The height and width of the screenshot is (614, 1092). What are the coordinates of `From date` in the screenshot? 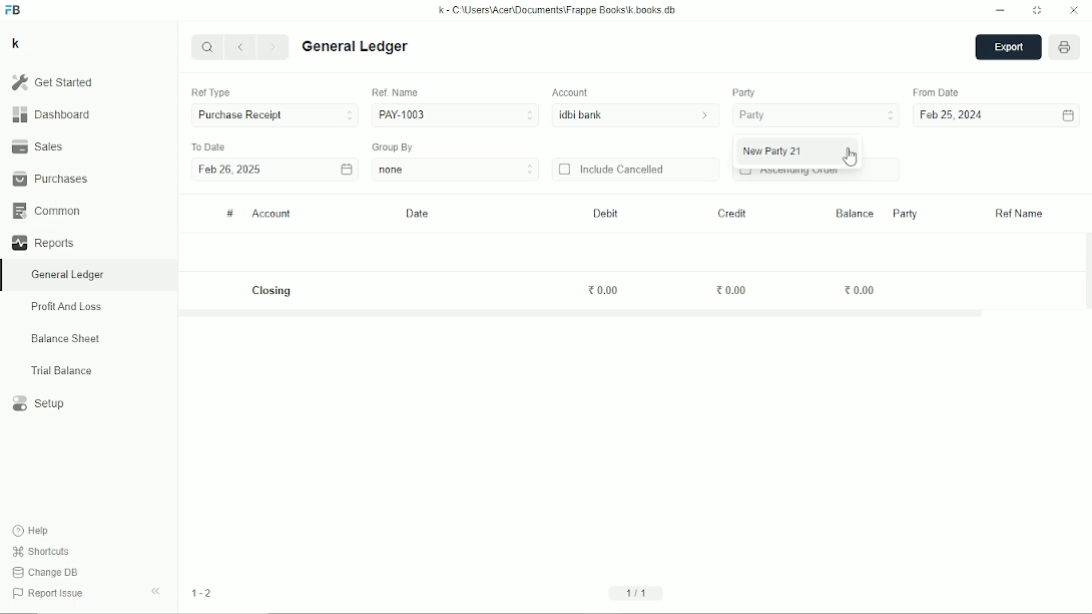 It's located at (938, 92).